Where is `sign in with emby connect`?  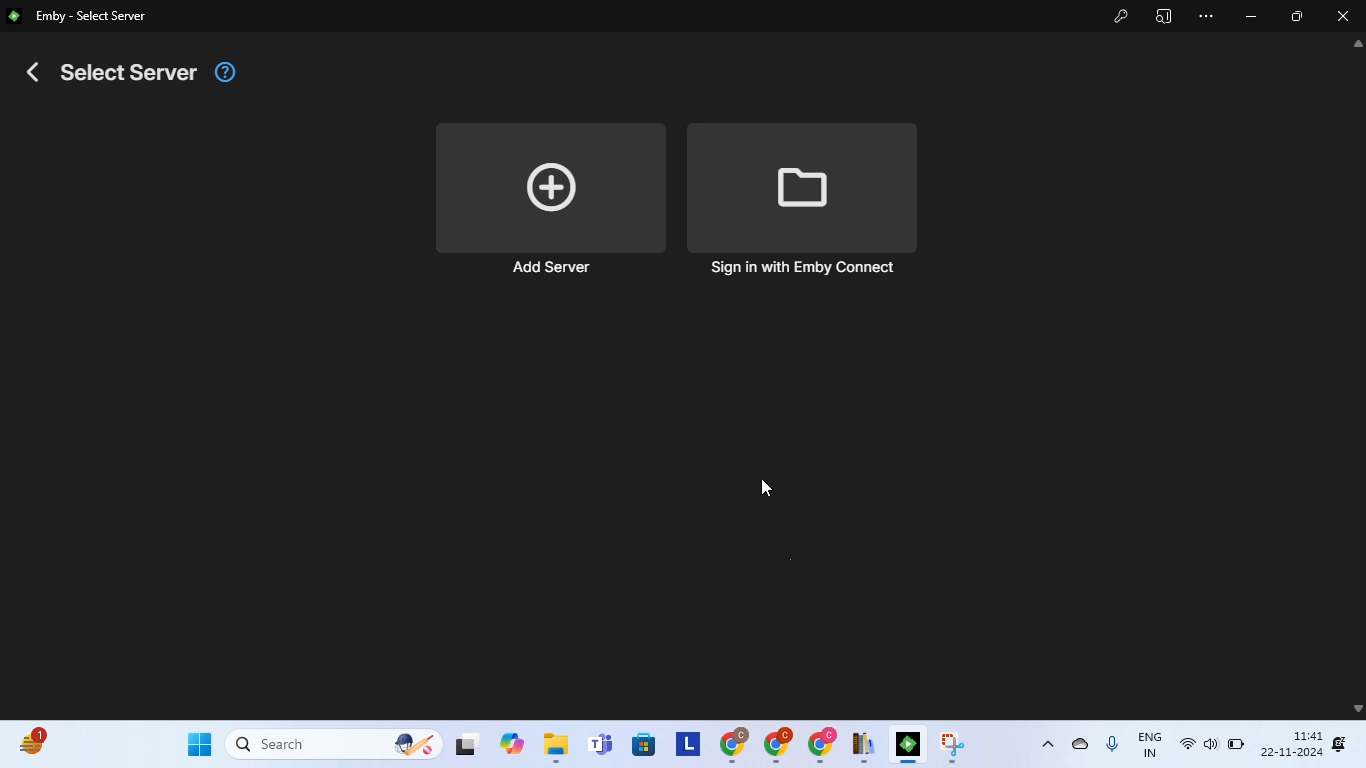 sign in with emby connect is located at coordinates (802, 201).